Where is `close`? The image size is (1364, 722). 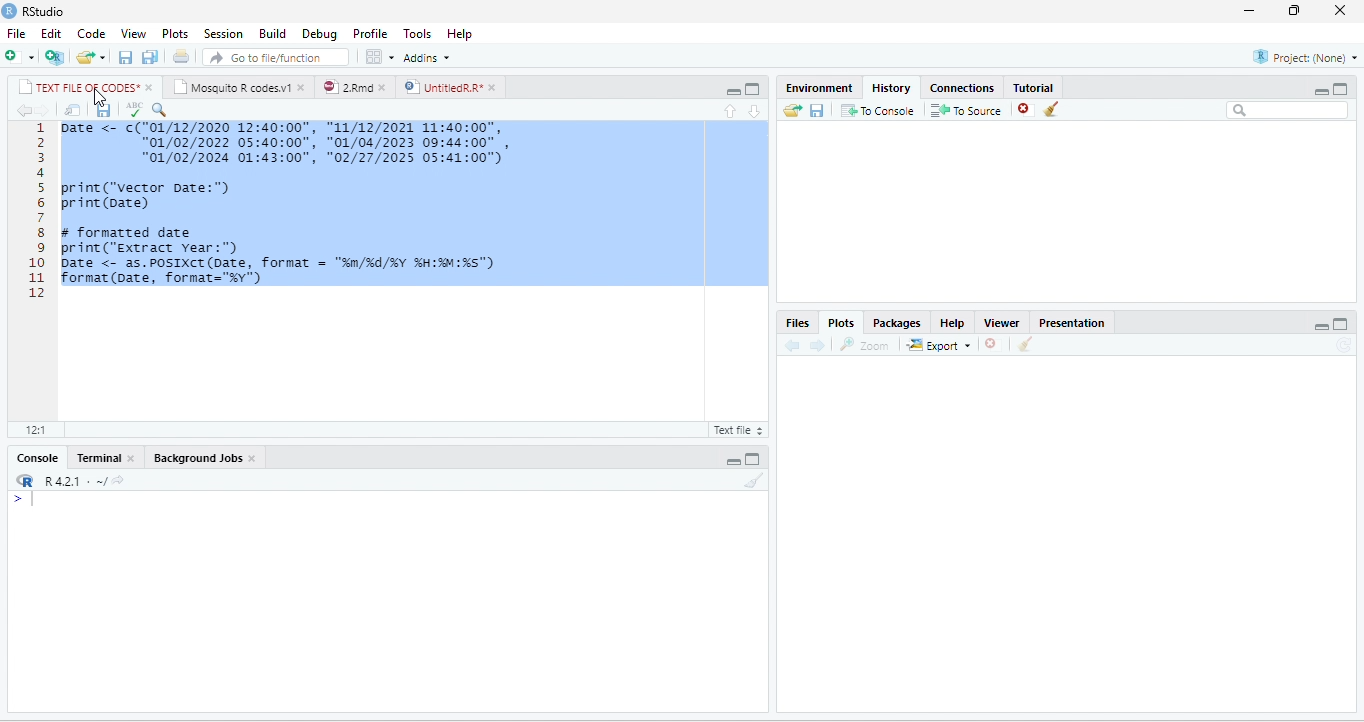
close is located at coordinates (151, 87).